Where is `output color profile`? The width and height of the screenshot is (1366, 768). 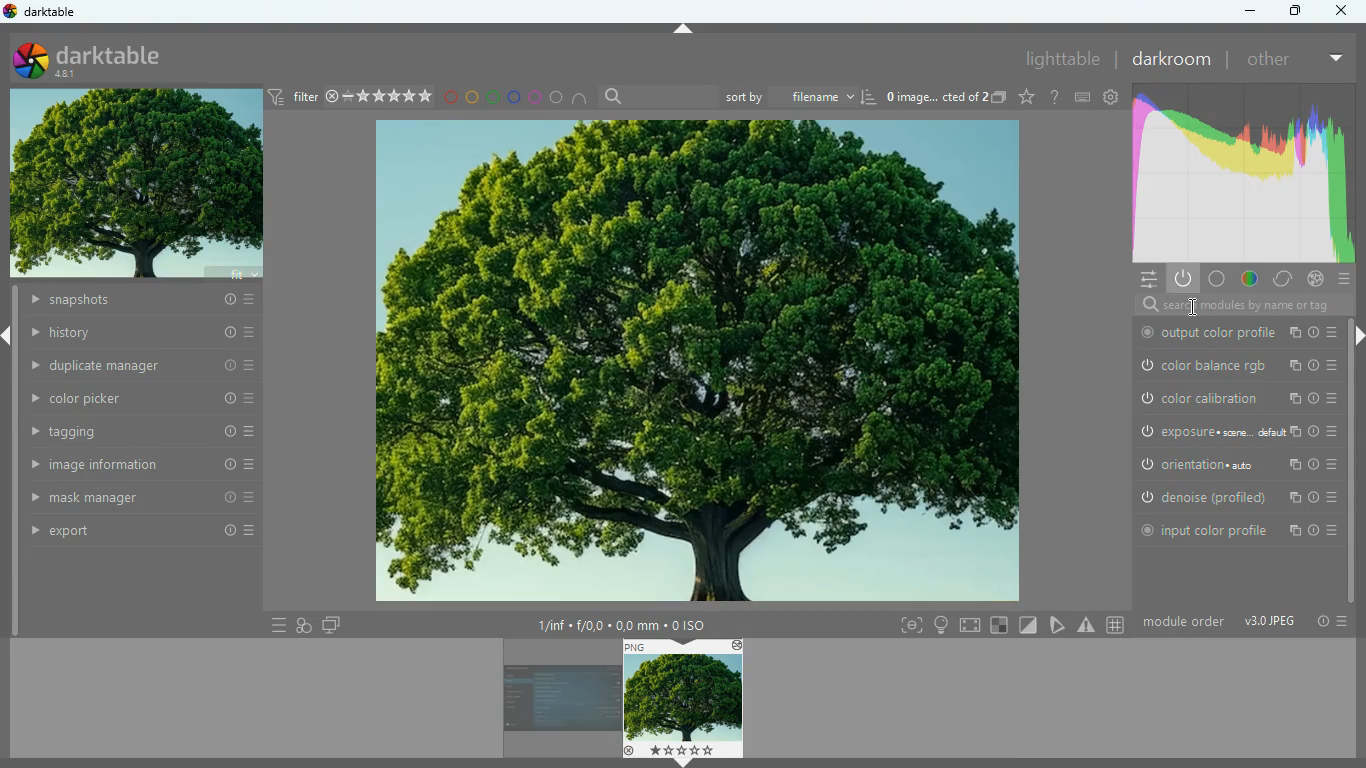
output color profile is located at coordinates (1234, 332).